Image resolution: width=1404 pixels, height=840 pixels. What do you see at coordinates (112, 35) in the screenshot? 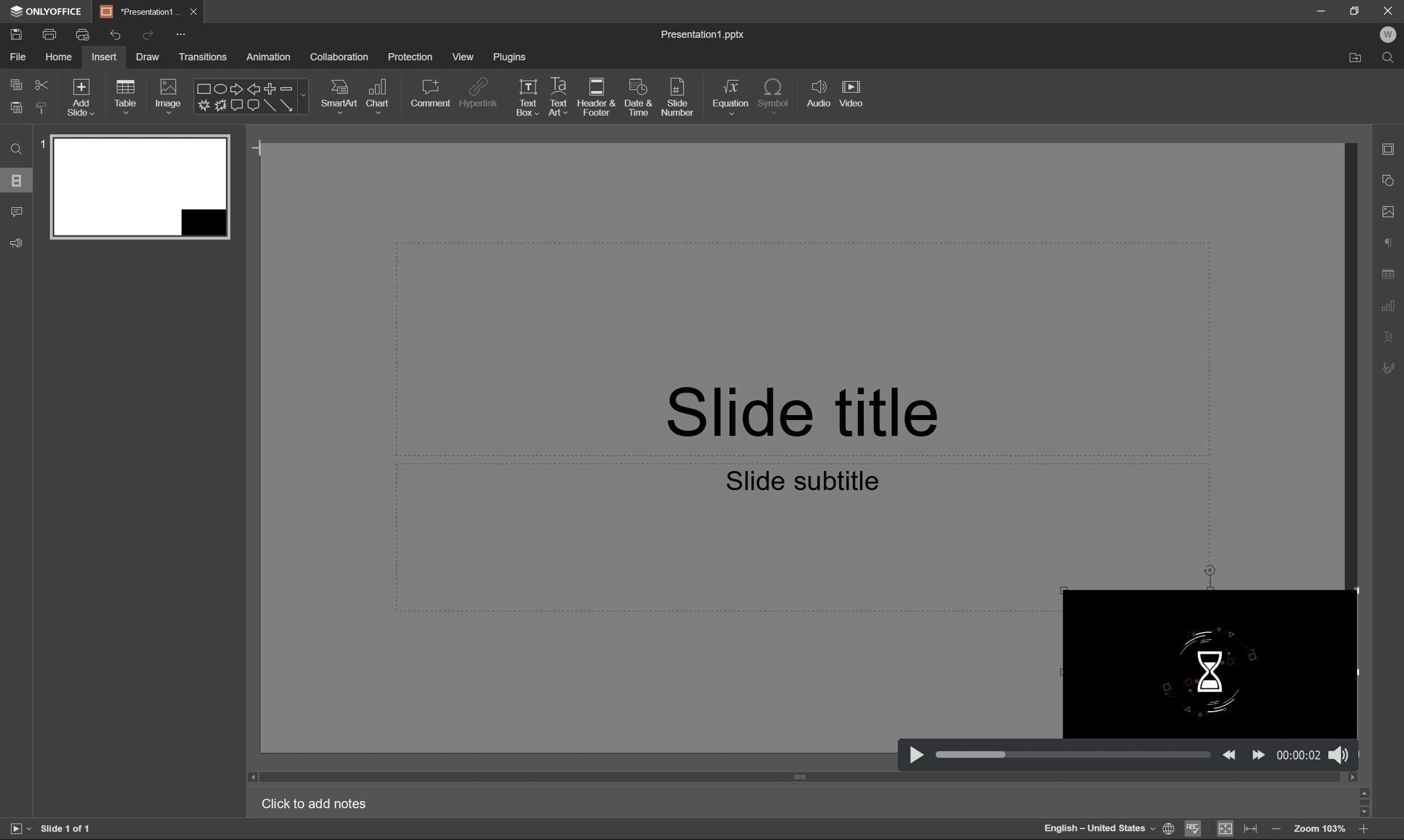
I see `undo` at bounding box center [112, 35].